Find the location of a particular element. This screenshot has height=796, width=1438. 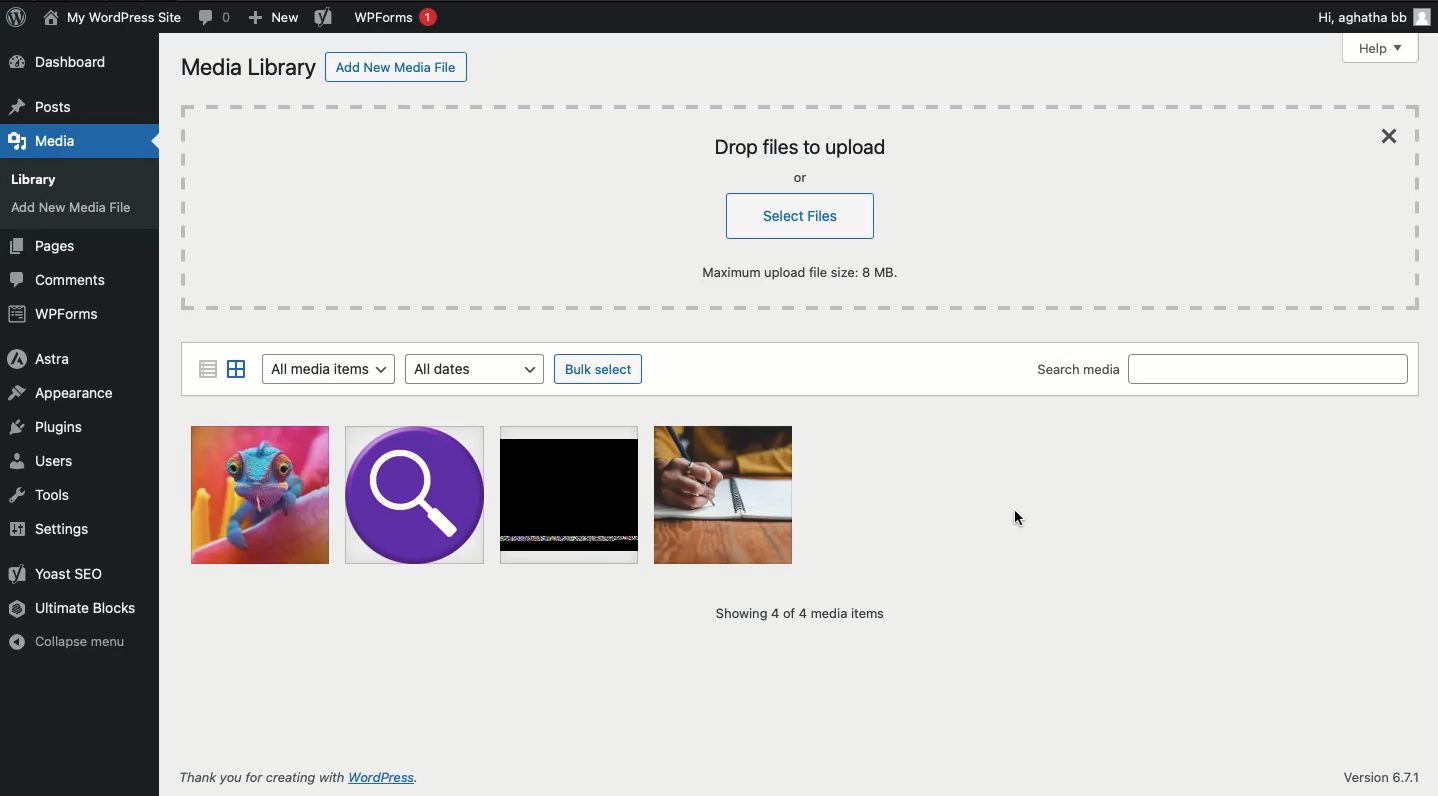

Users is located at coordinates (48, 459).